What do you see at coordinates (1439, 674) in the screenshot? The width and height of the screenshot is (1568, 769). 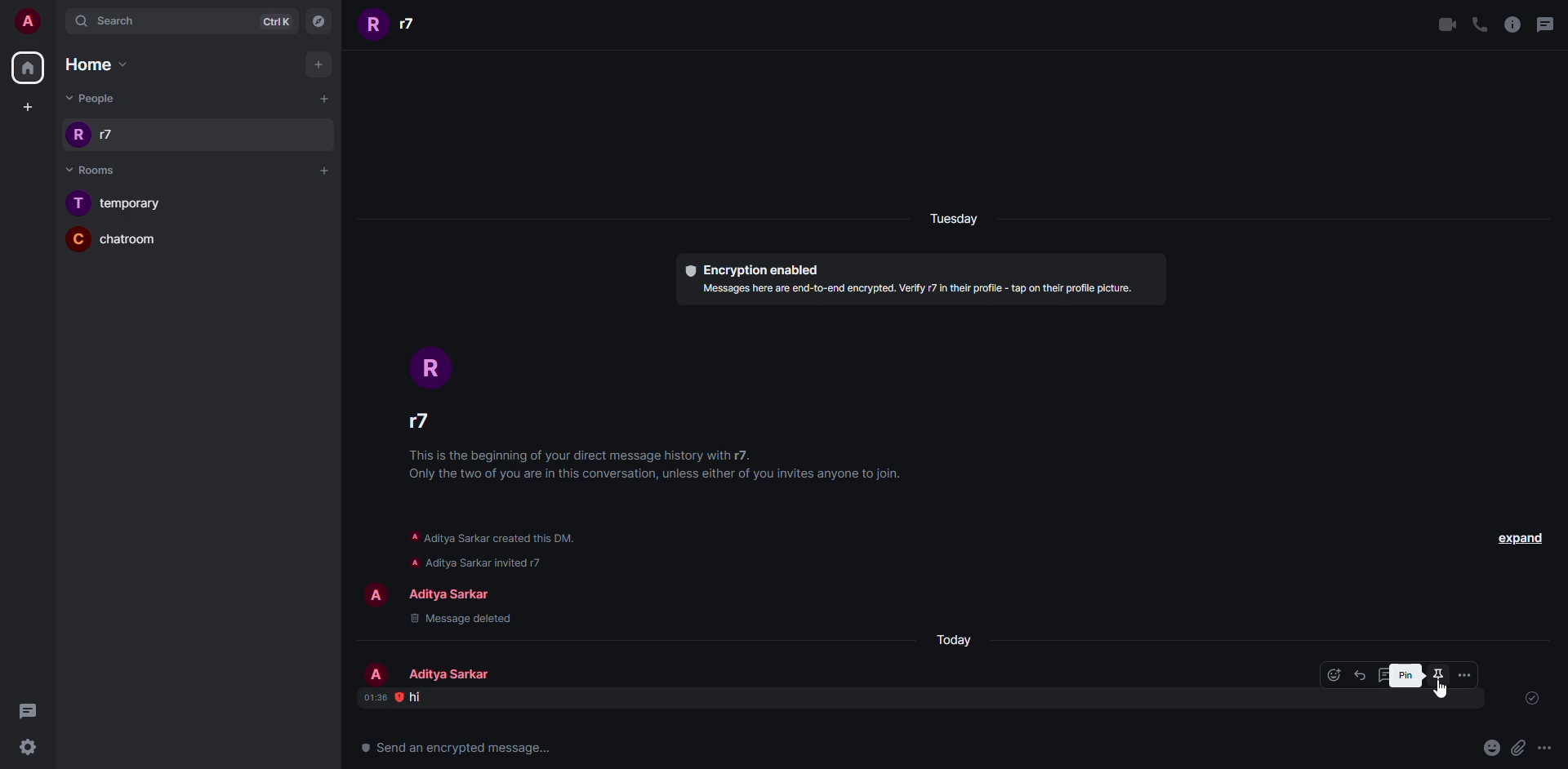 I see `pin` at bounding box center [1439, 674].